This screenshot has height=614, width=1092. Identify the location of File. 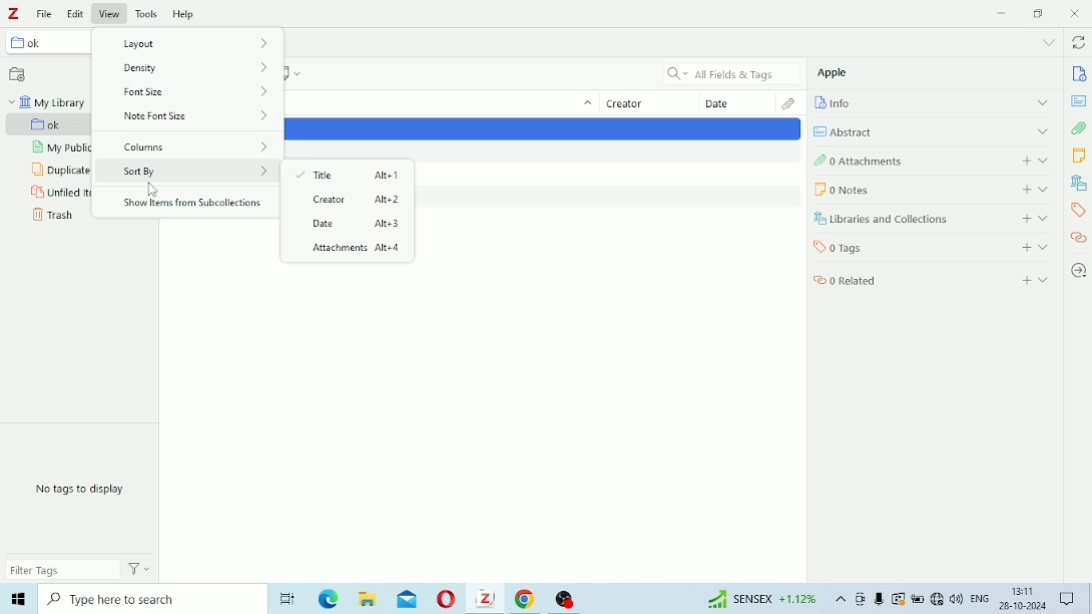
(47, 13).